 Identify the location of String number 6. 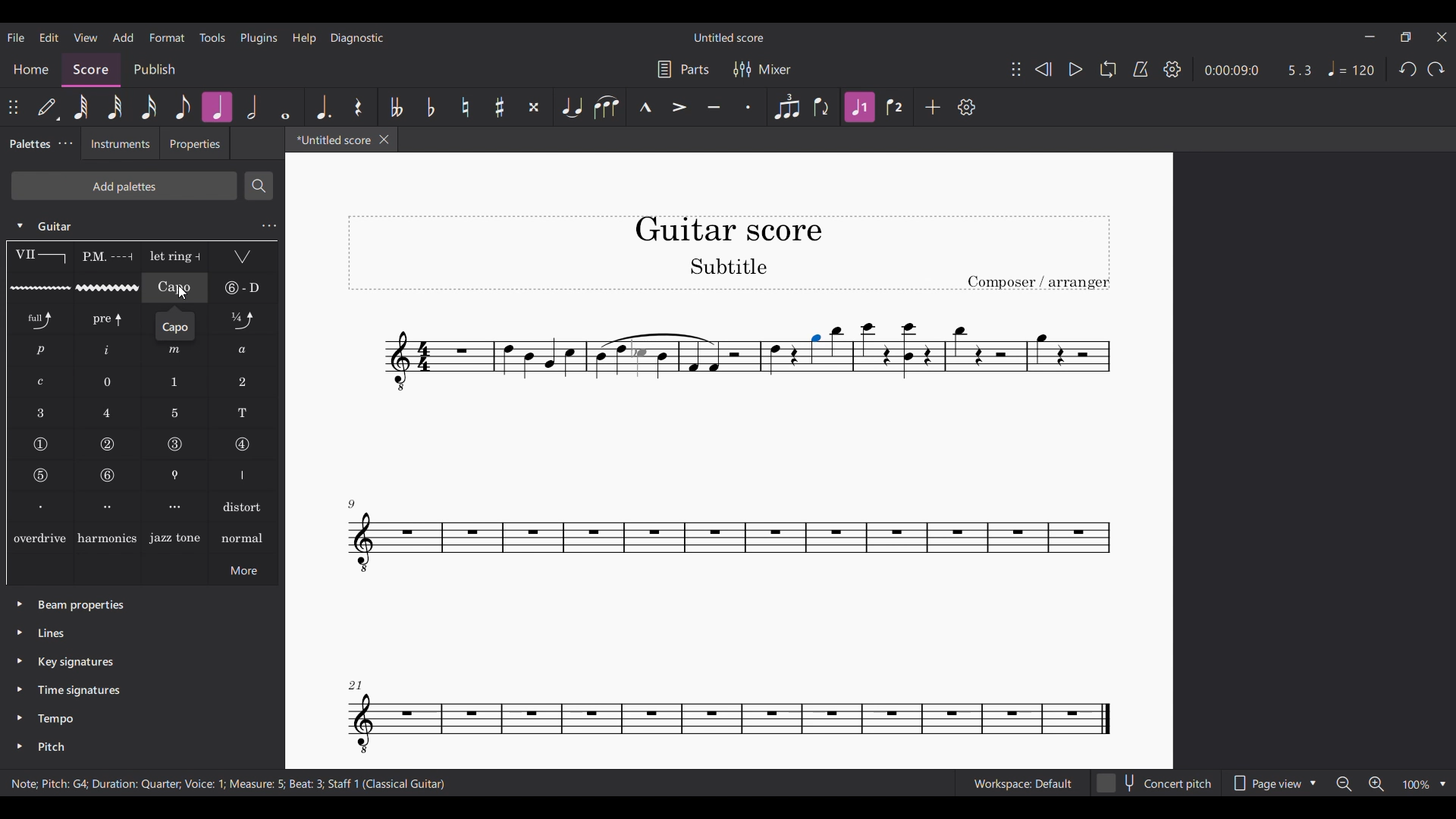
(108, 475).